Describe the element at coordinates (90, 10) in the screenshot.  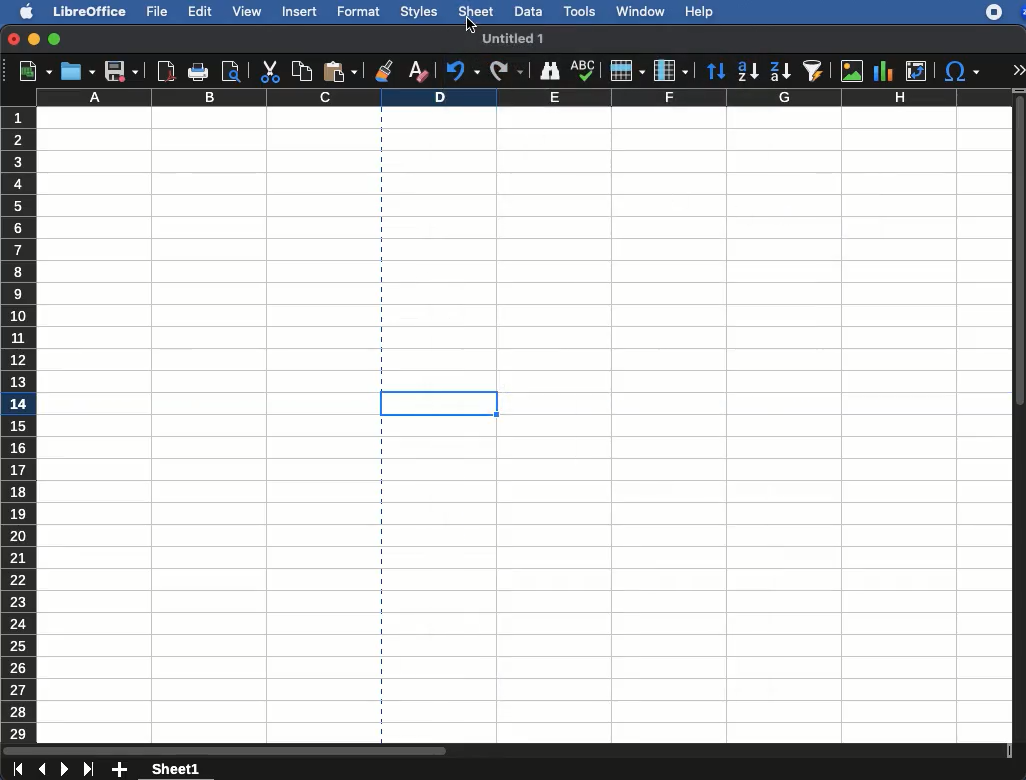
I see `libreoffice` at that location.